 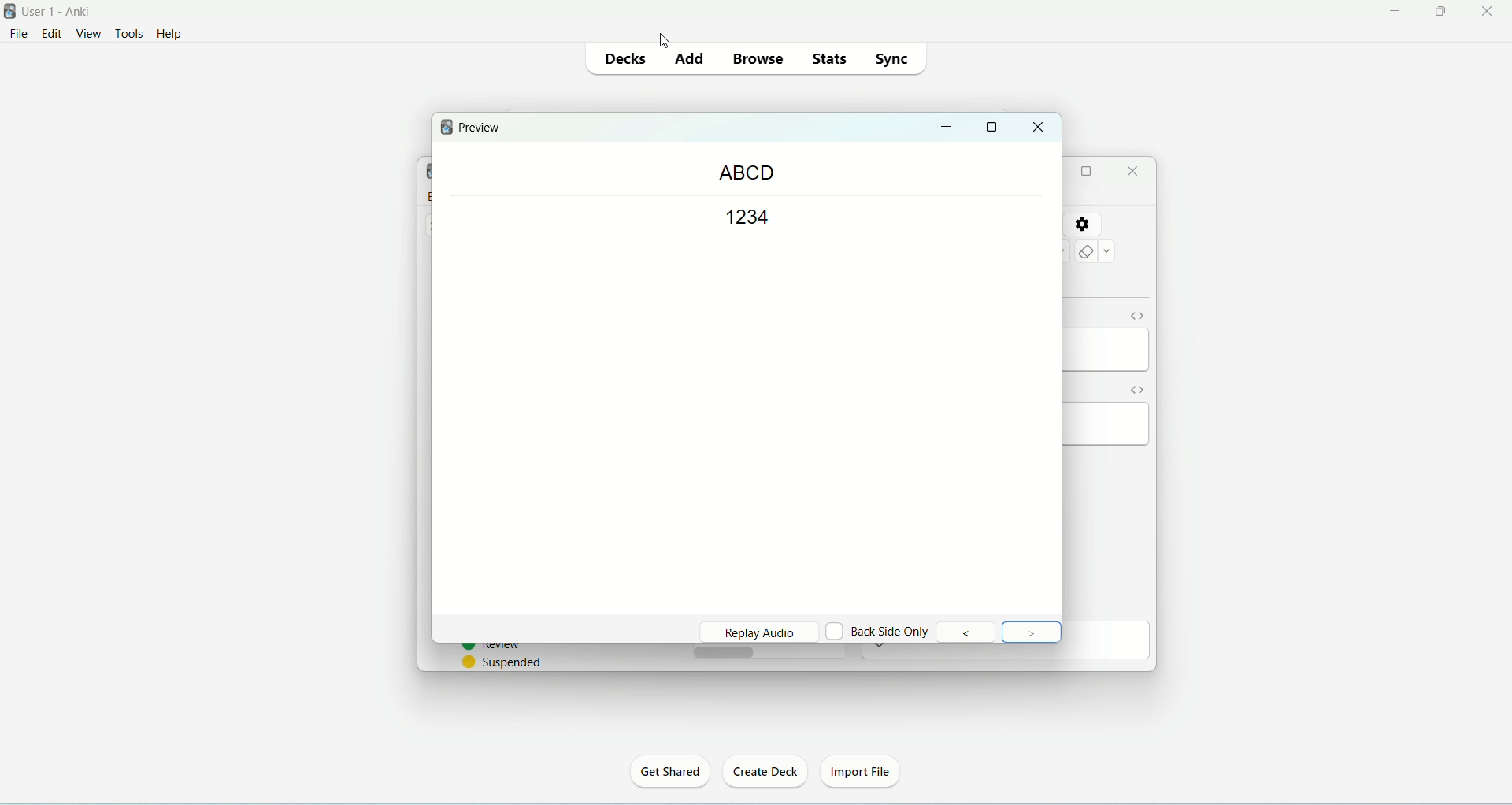 I want to click on close, so click(x=1135, y=171).